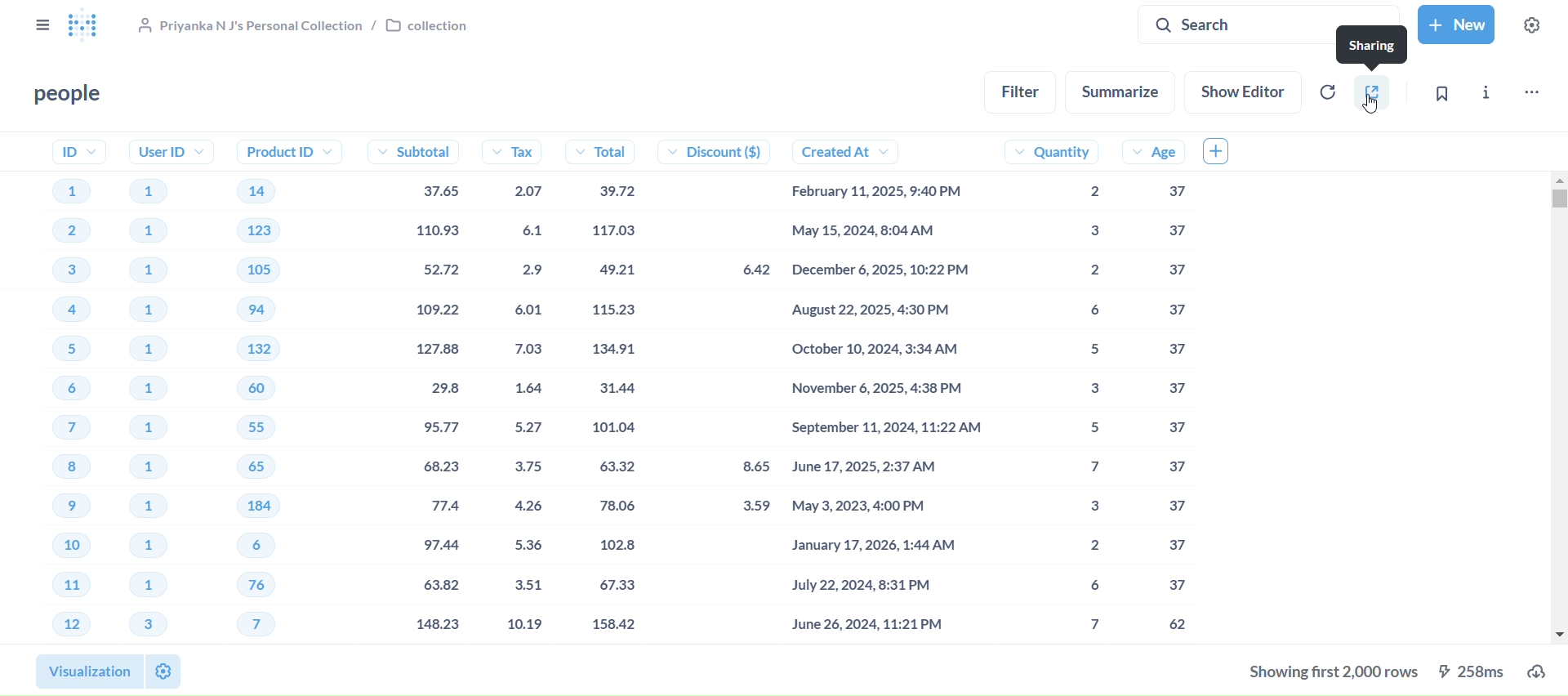  I want to click on bookmark, so click(1437, 93).